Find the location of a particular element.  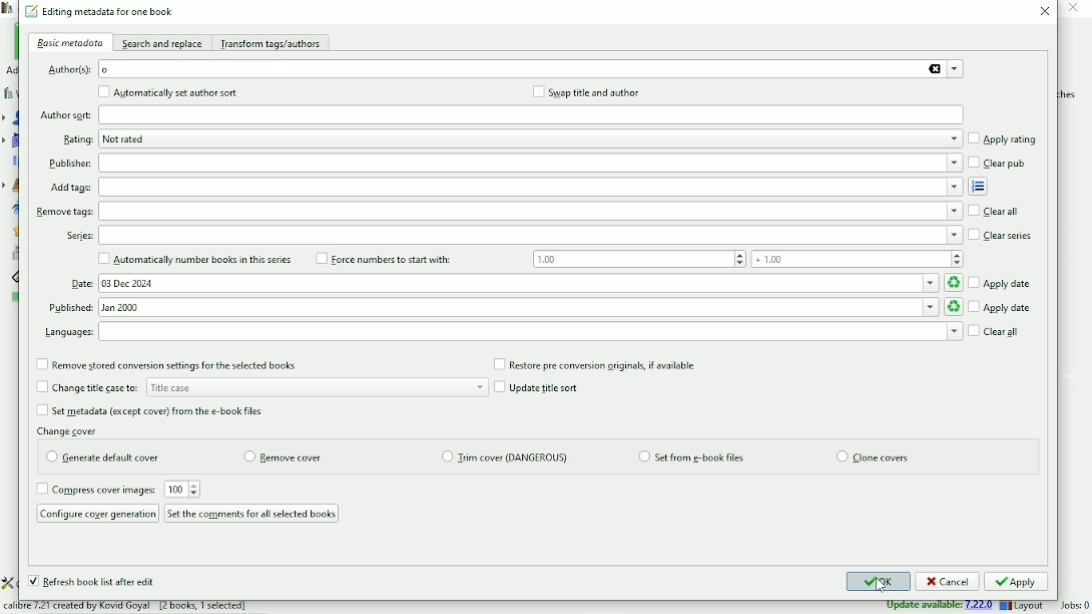

Remove tags options is located at coordinates (531, 212).